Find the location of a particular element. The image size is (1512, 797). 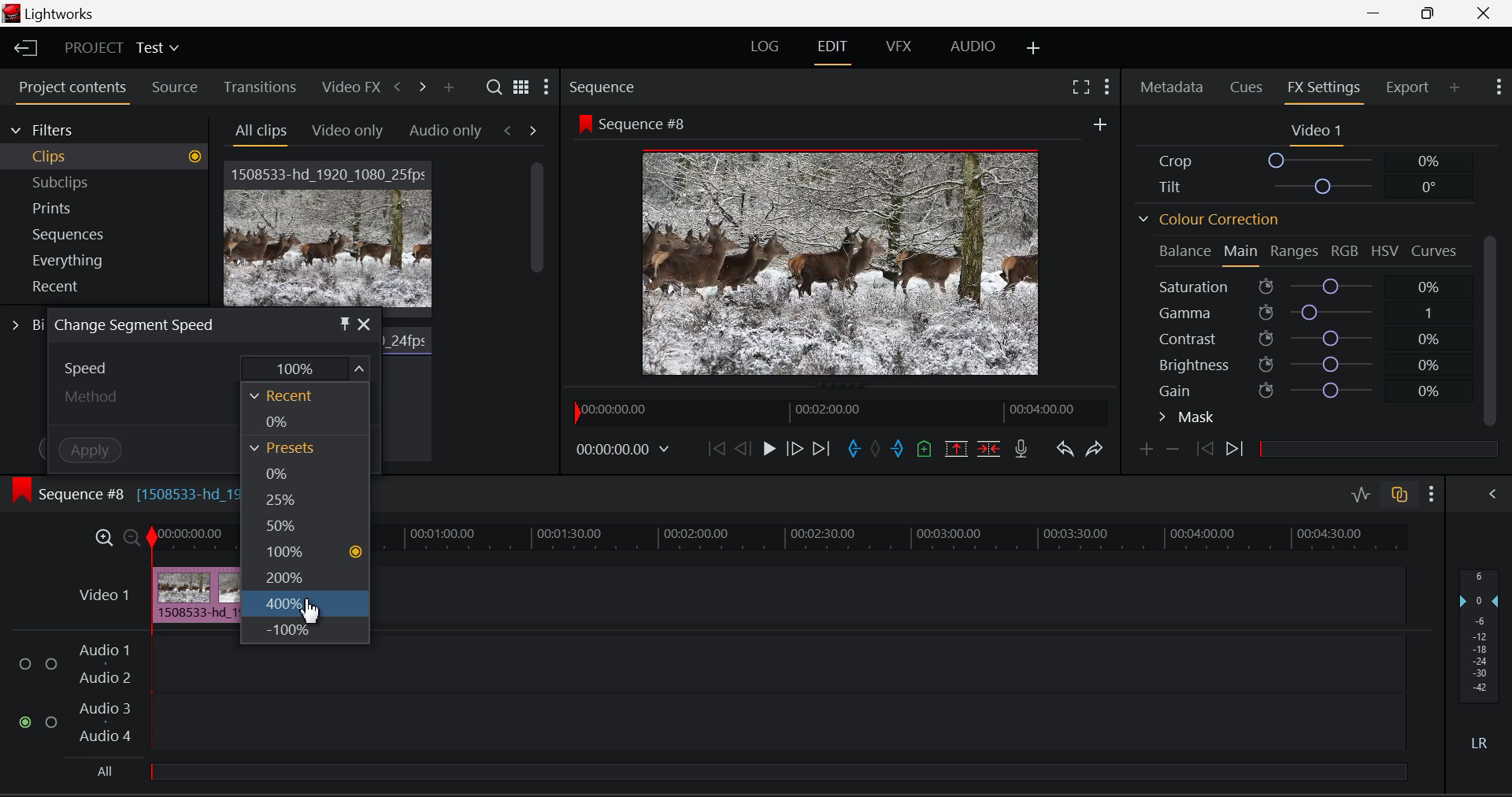

Full Screen is located at coordinates (1080, 89).